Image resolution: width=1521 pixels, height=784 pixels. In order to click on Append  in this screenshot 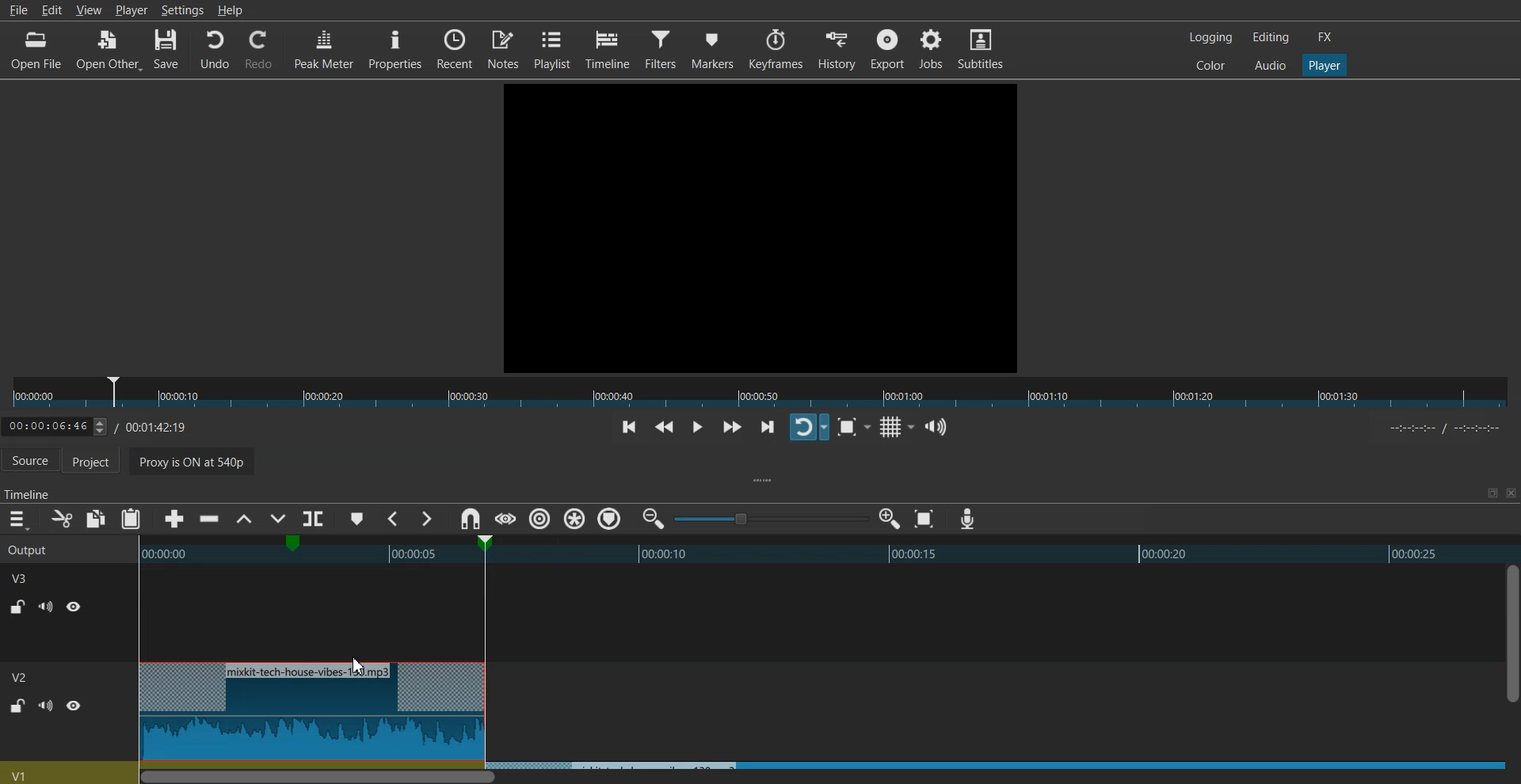, I will do `click(175, 519)`.